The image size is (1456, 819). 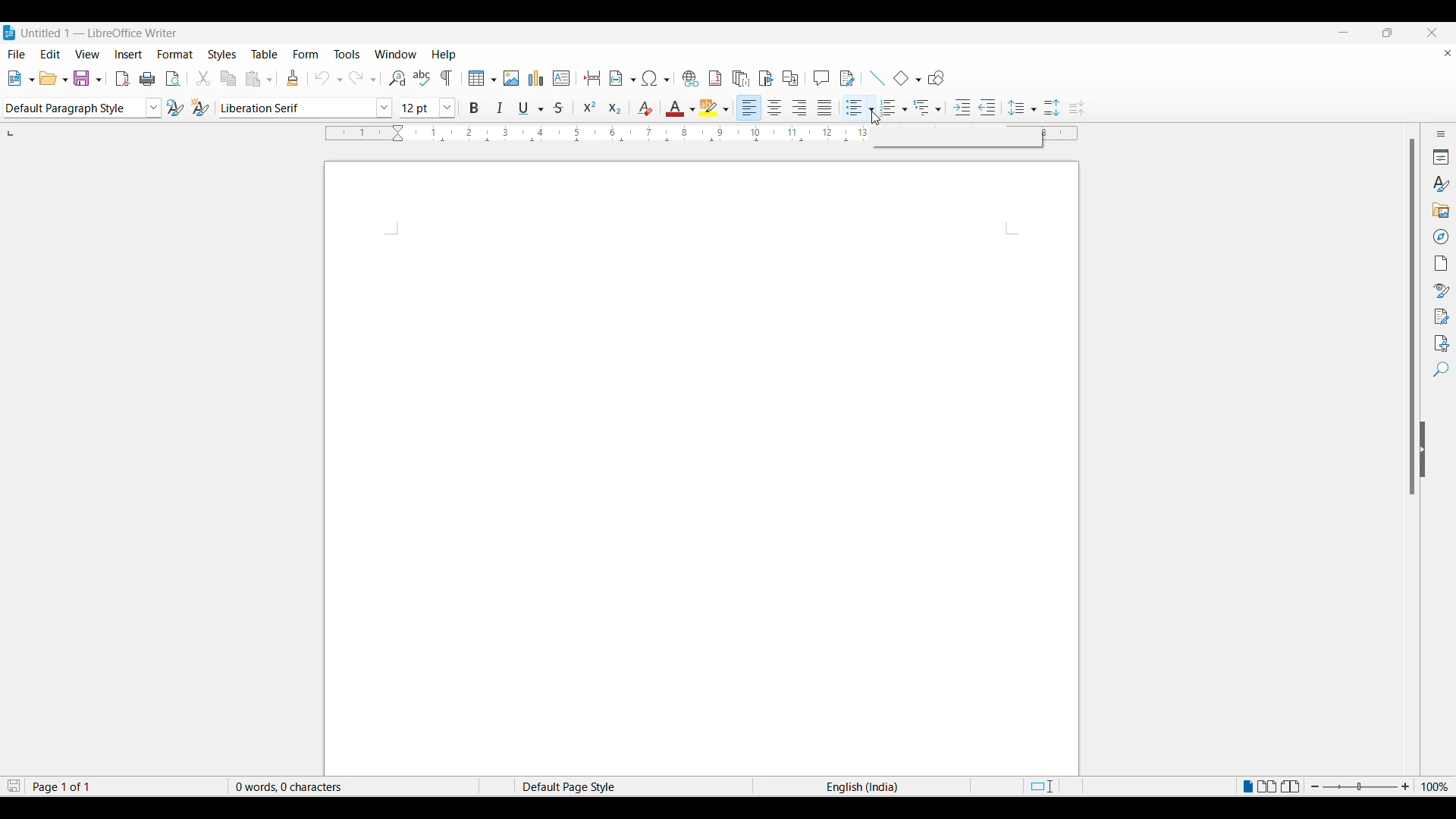 I want to click on hightlight color, so click(x=716, y=106).